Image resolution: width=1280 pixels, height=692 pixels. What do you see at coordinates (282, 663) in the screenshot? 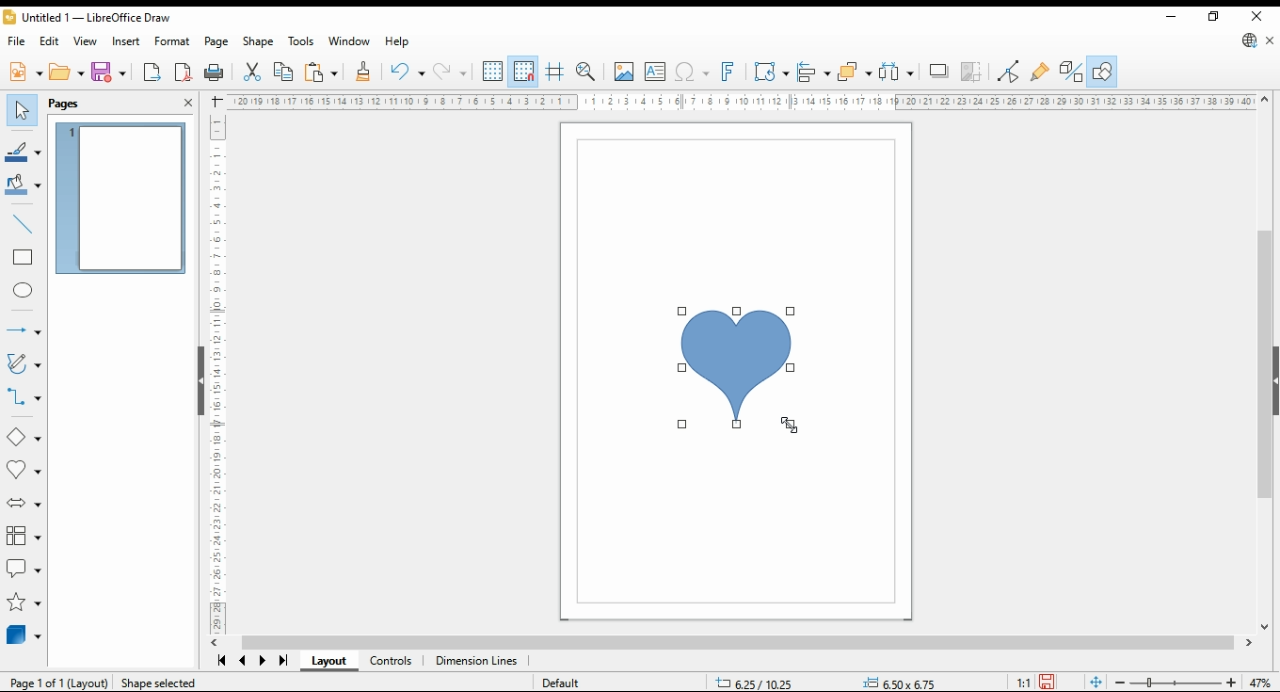
I see `last page` at bounding box center [282, 663].